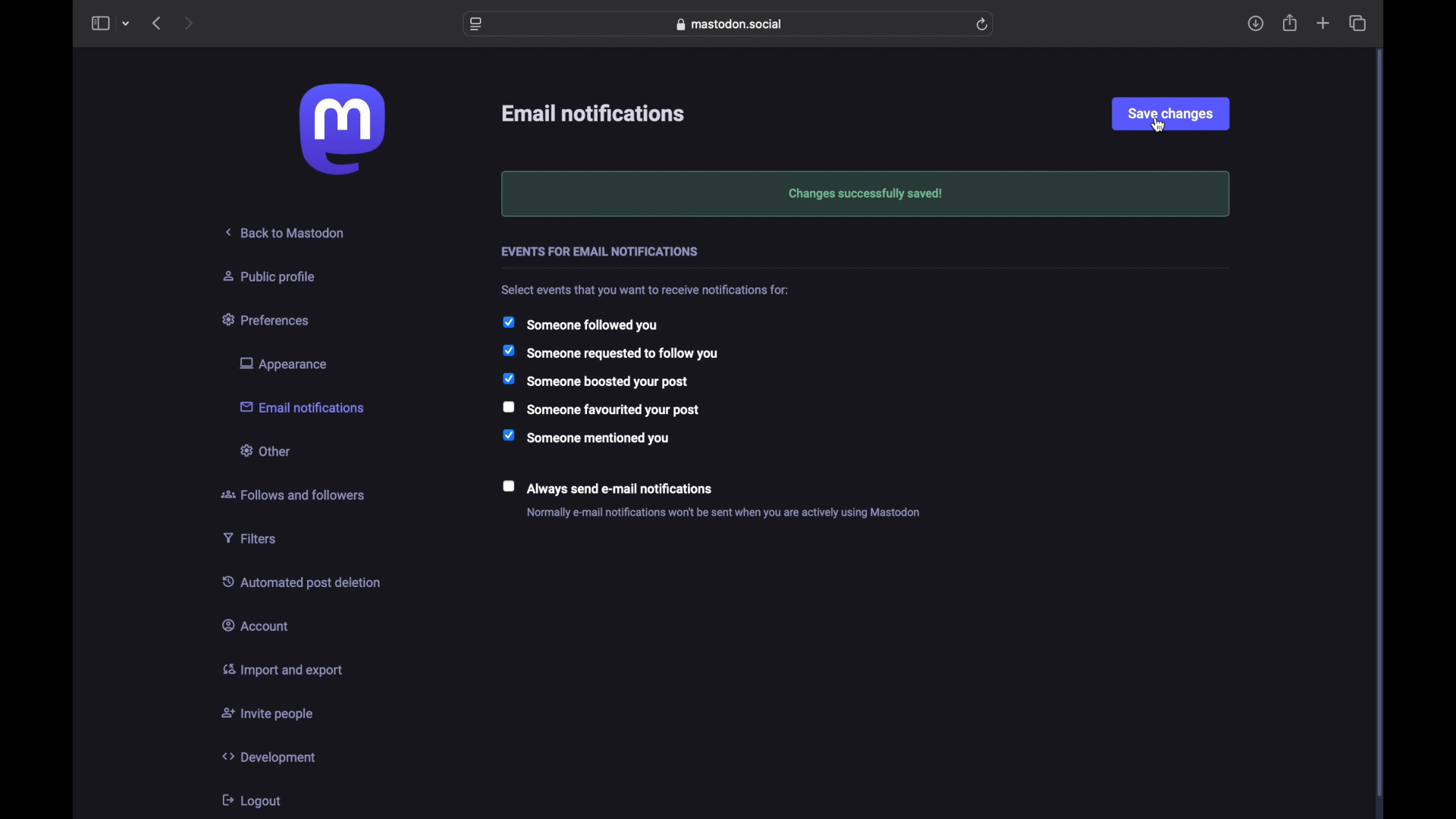 The width and height of the screenshot is (1456, 819). What do you see at coordinates (601, 487) in the screenshot?
I see `checkbox` at bounding box center [601, 487].